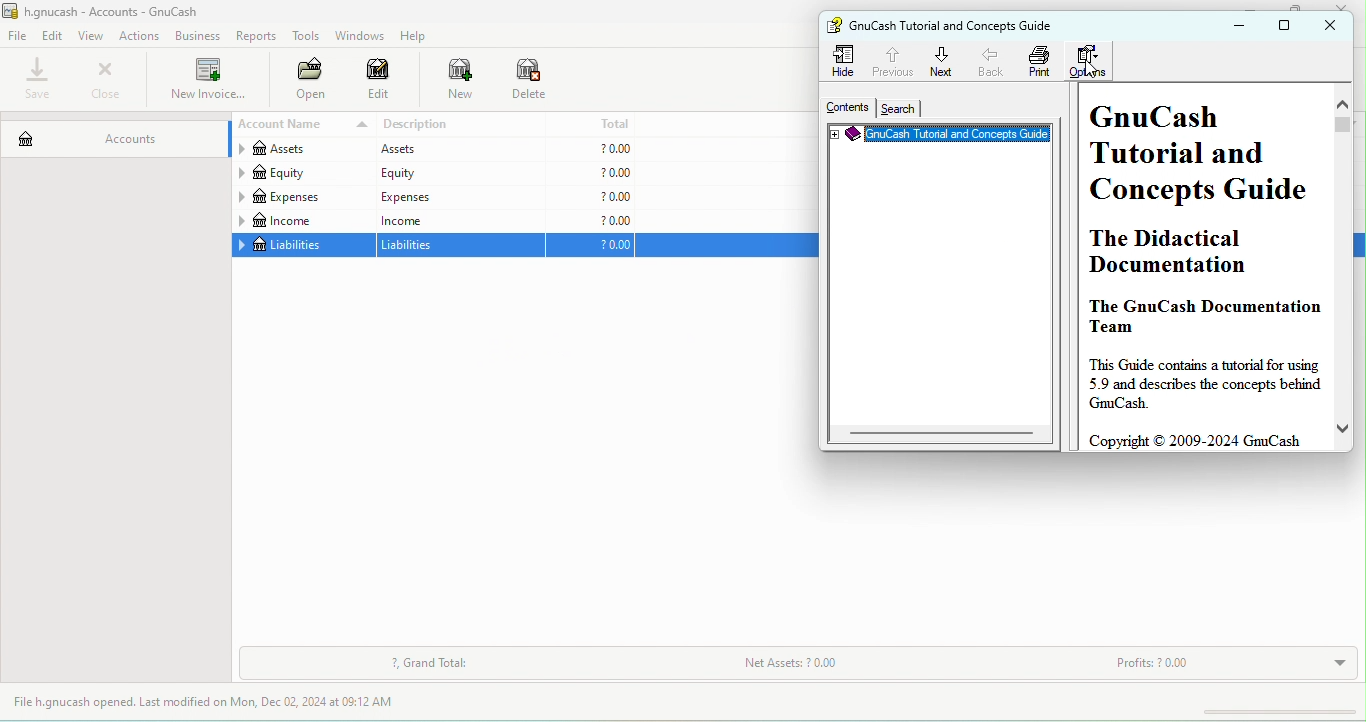 The height and width of the screenshot is (722, 1366). I want to click on profits?0.00, so click(1223, 664).